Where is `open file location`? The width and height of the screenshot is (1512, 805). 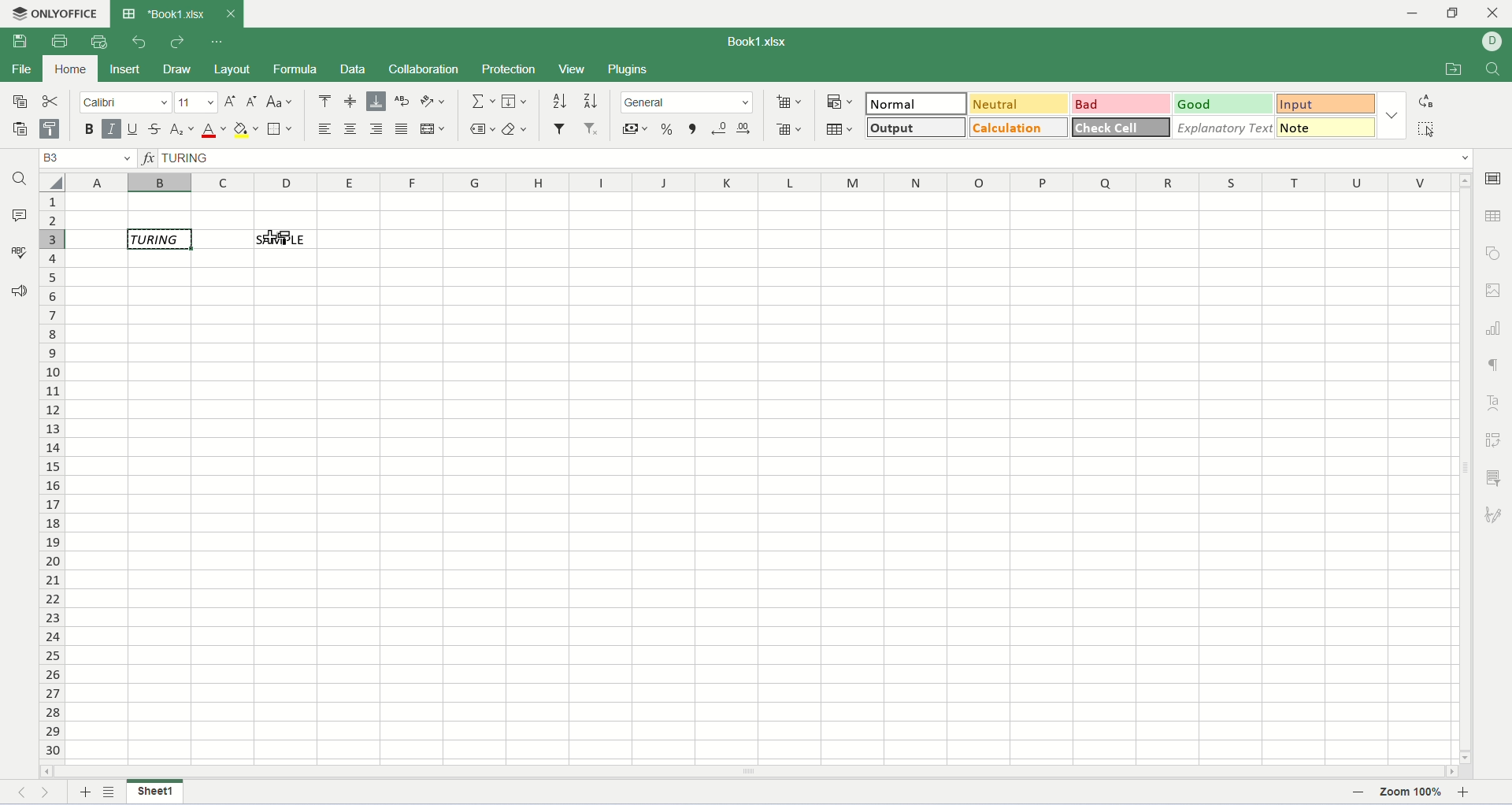
open file location is located at coordinates (1451, 69).